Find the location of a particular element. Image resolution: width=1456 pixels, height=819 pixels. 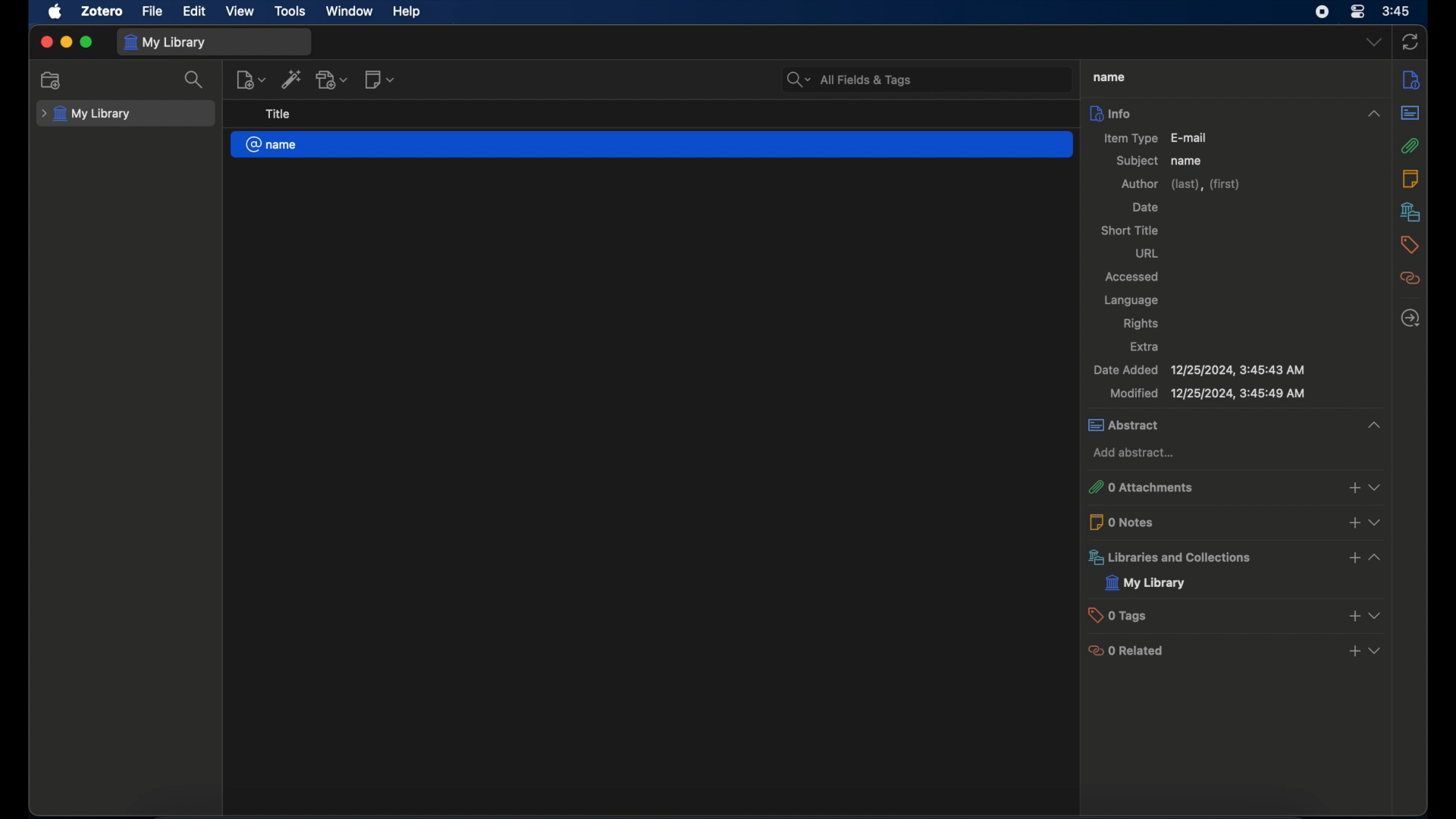

new item is located at coordinates (251, 80).